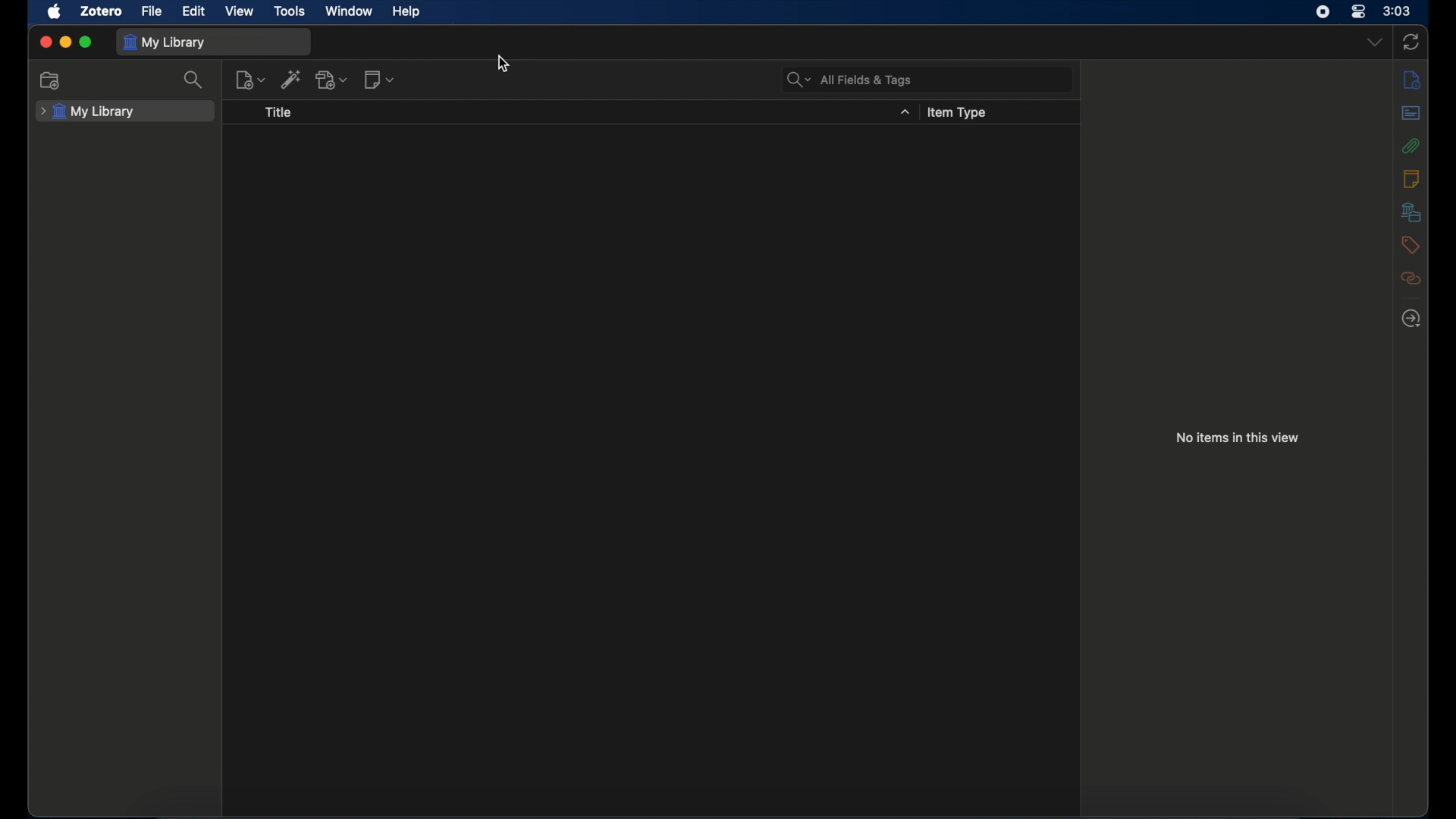 This screenshot has width=1456, height=819. I want to click on edit, so click(193, 11).